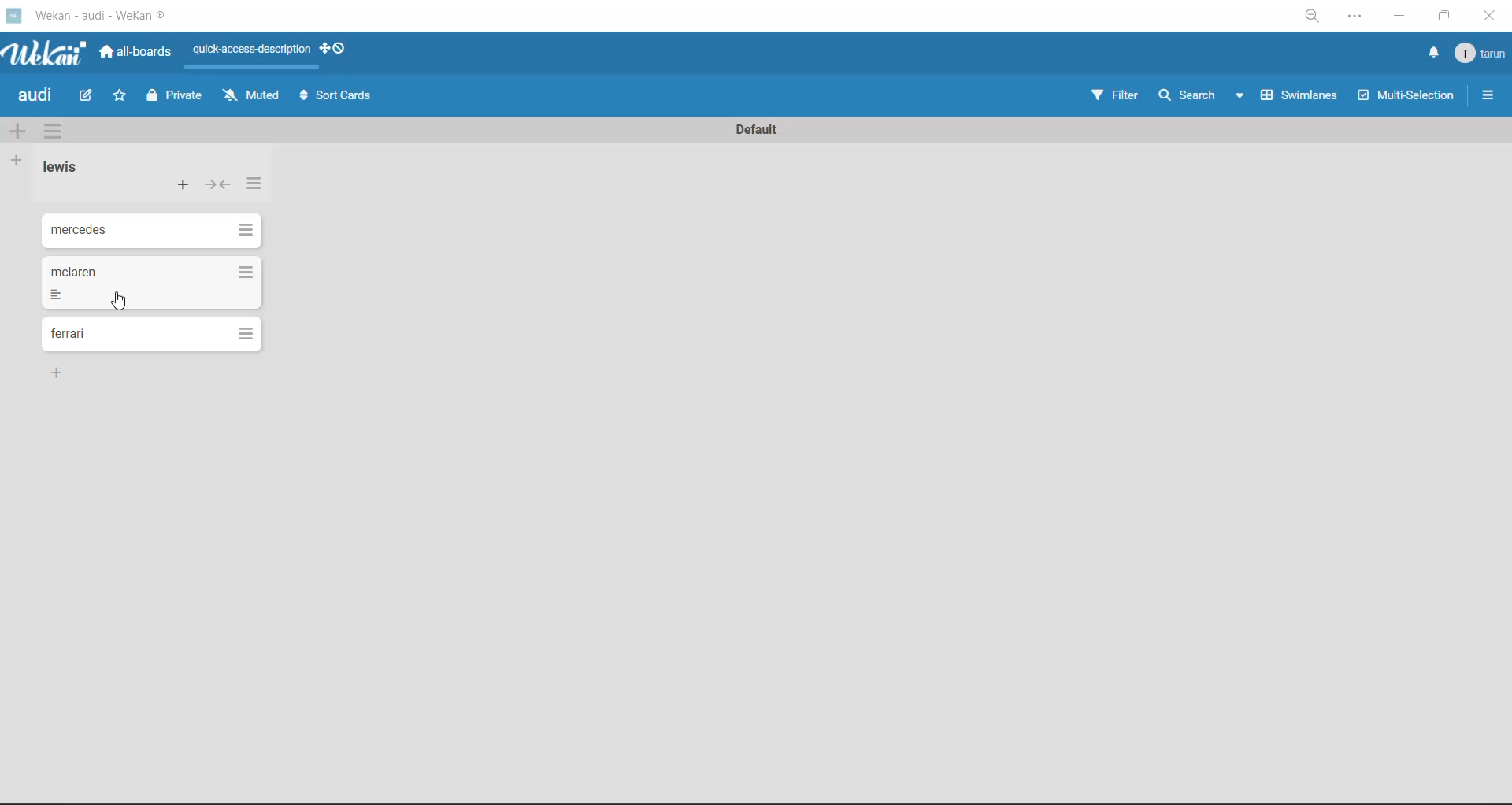  What do you see at coordinates (57, 132) in the screenshot?
I see `swimlane actions` at bounding box center [57, 132].